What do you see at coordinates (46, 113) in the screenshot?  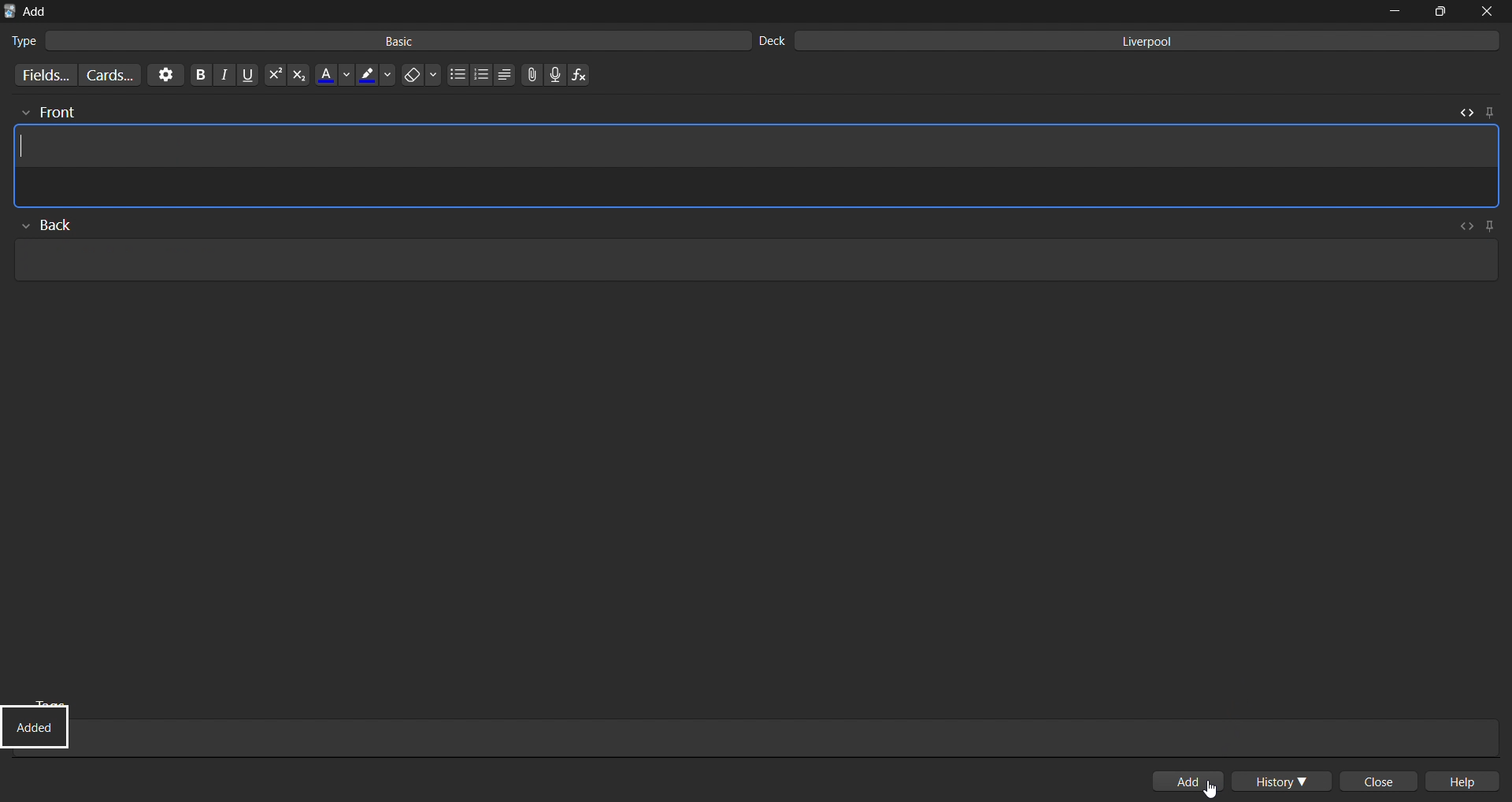 I see `front ` at bounding box center [46, 113].